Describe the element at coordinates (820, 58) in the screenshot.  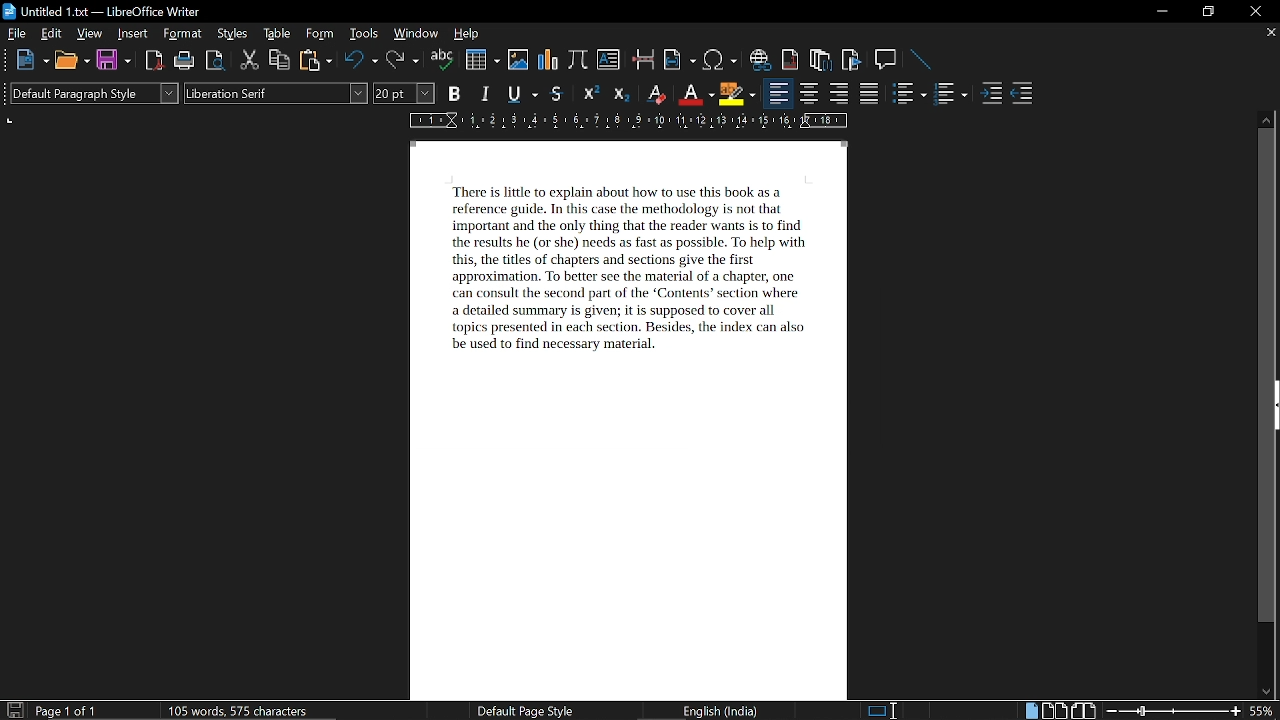
I see `insert endnote` at that location.